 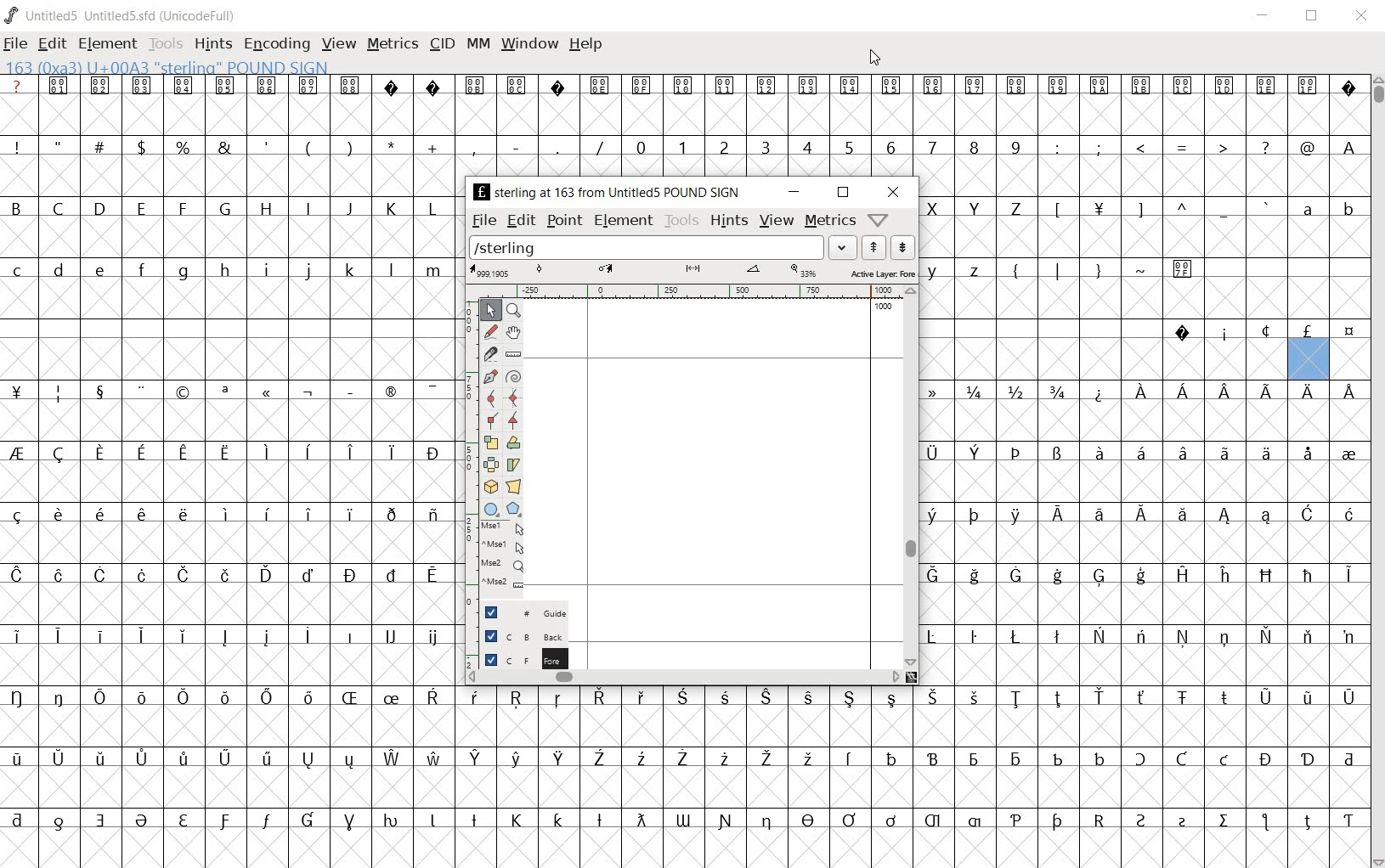 What do you see at coordinates (830, 220) in the screenshot?
I see `metrics` at bounding box center [830, 220].